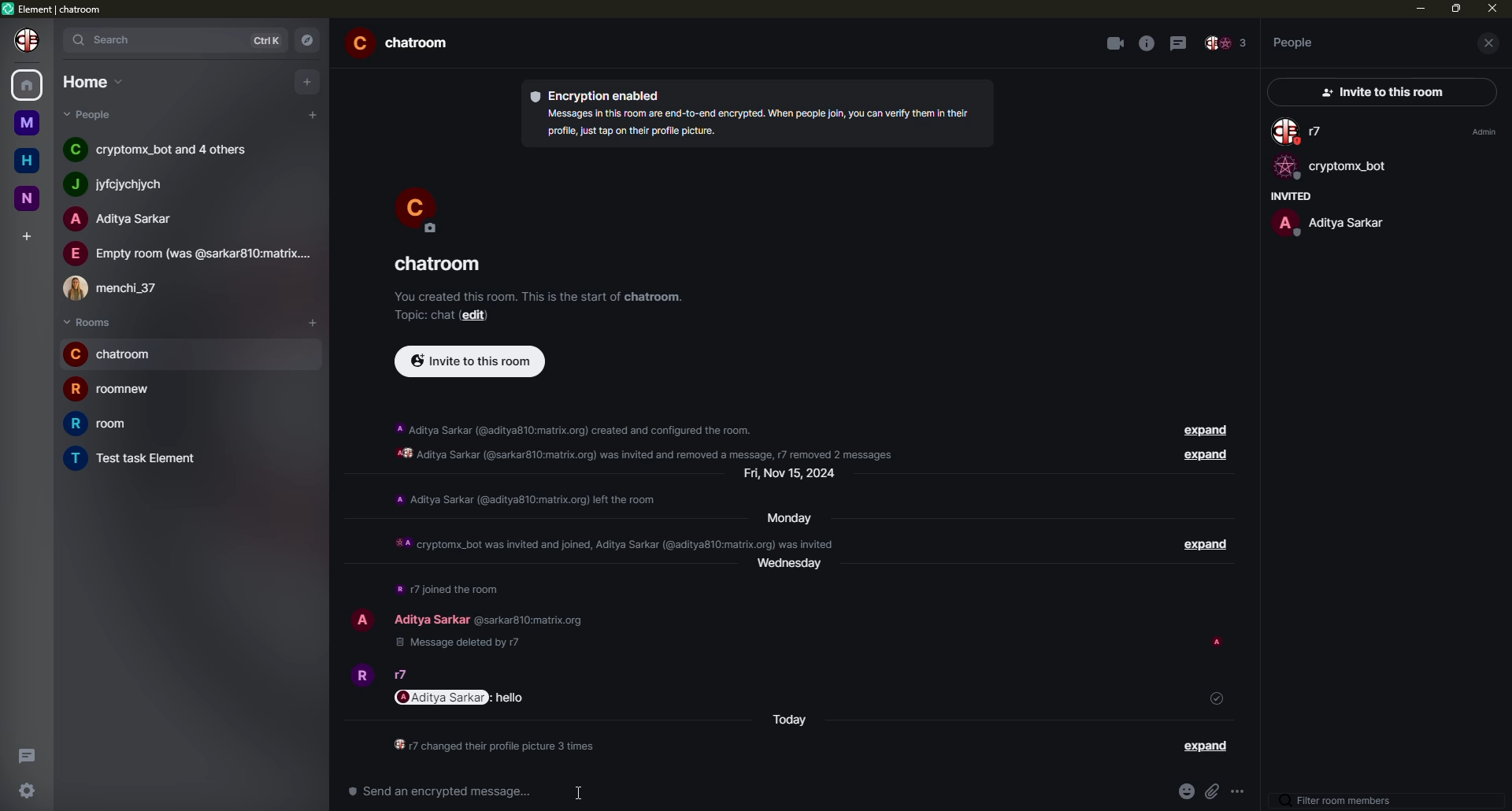 The height and width of the screenshot is (811, 1512). I want to click on people, so click(431, 619).